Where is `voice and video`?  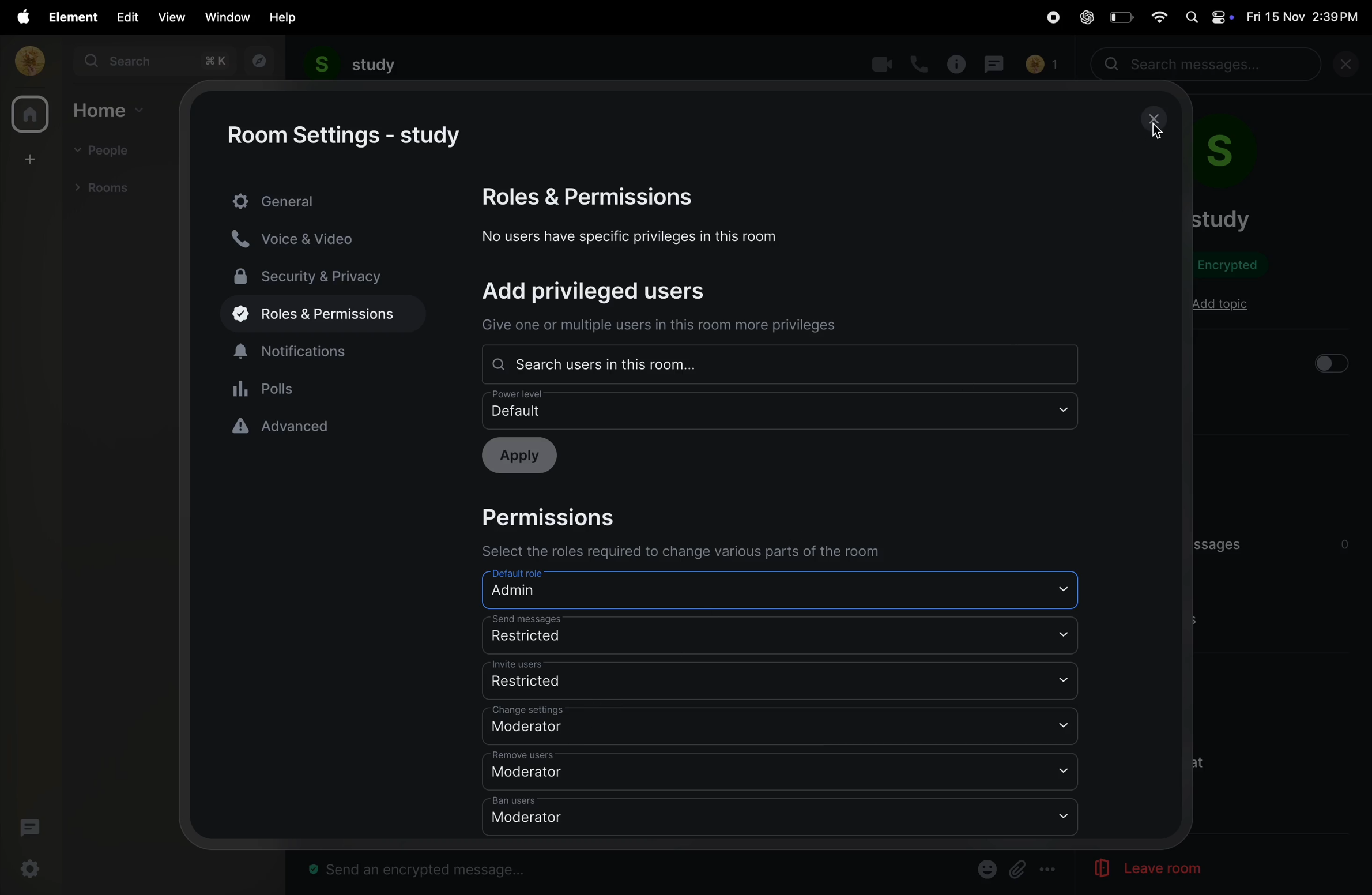 voice and video is located at coordinates (306, 238).